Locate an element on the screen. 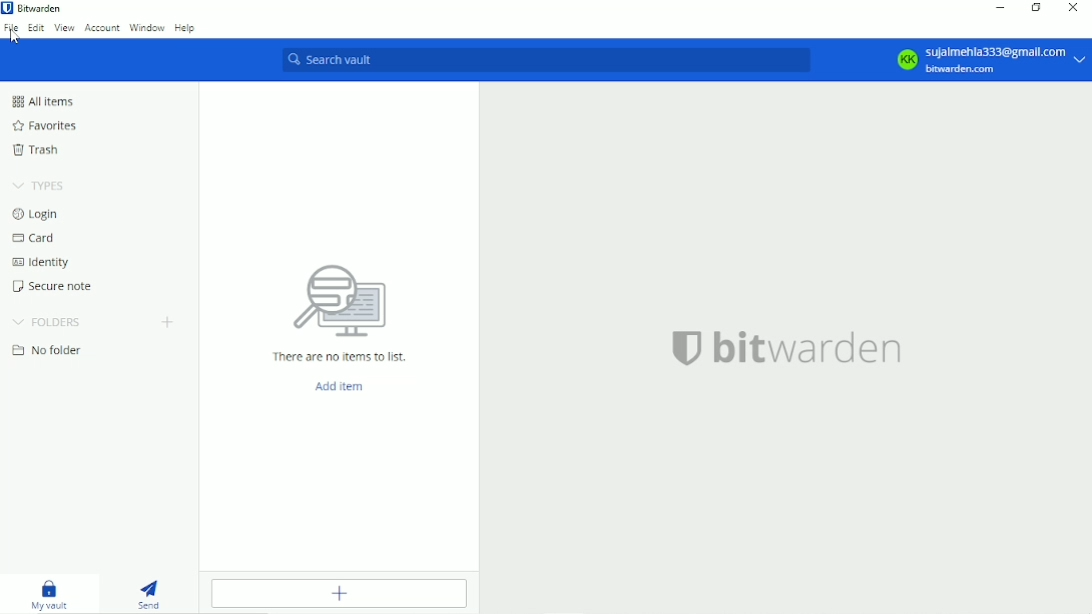  Help is located at coordinates (185, 27).